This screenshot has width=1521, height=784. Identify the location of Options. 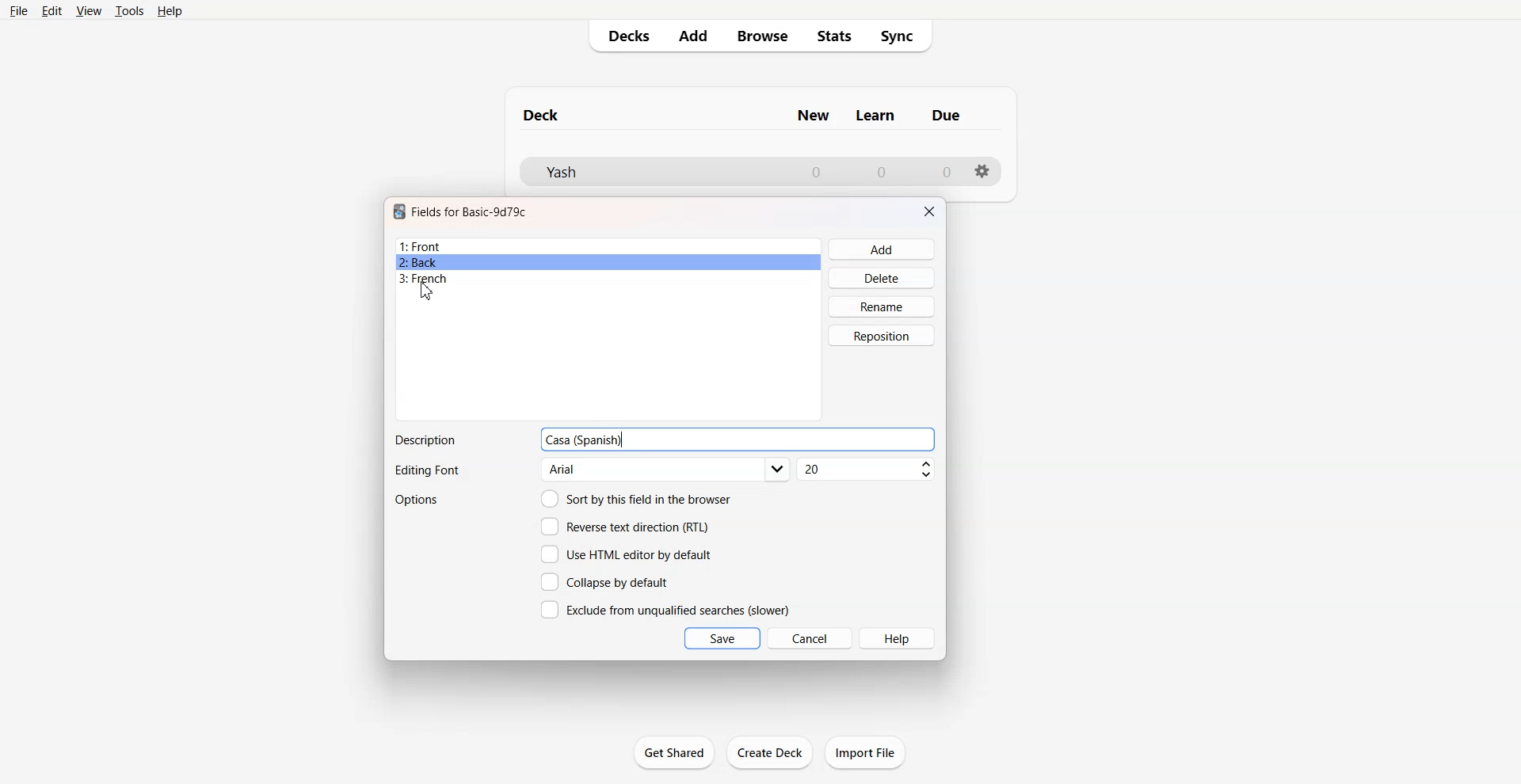
(418, 500).